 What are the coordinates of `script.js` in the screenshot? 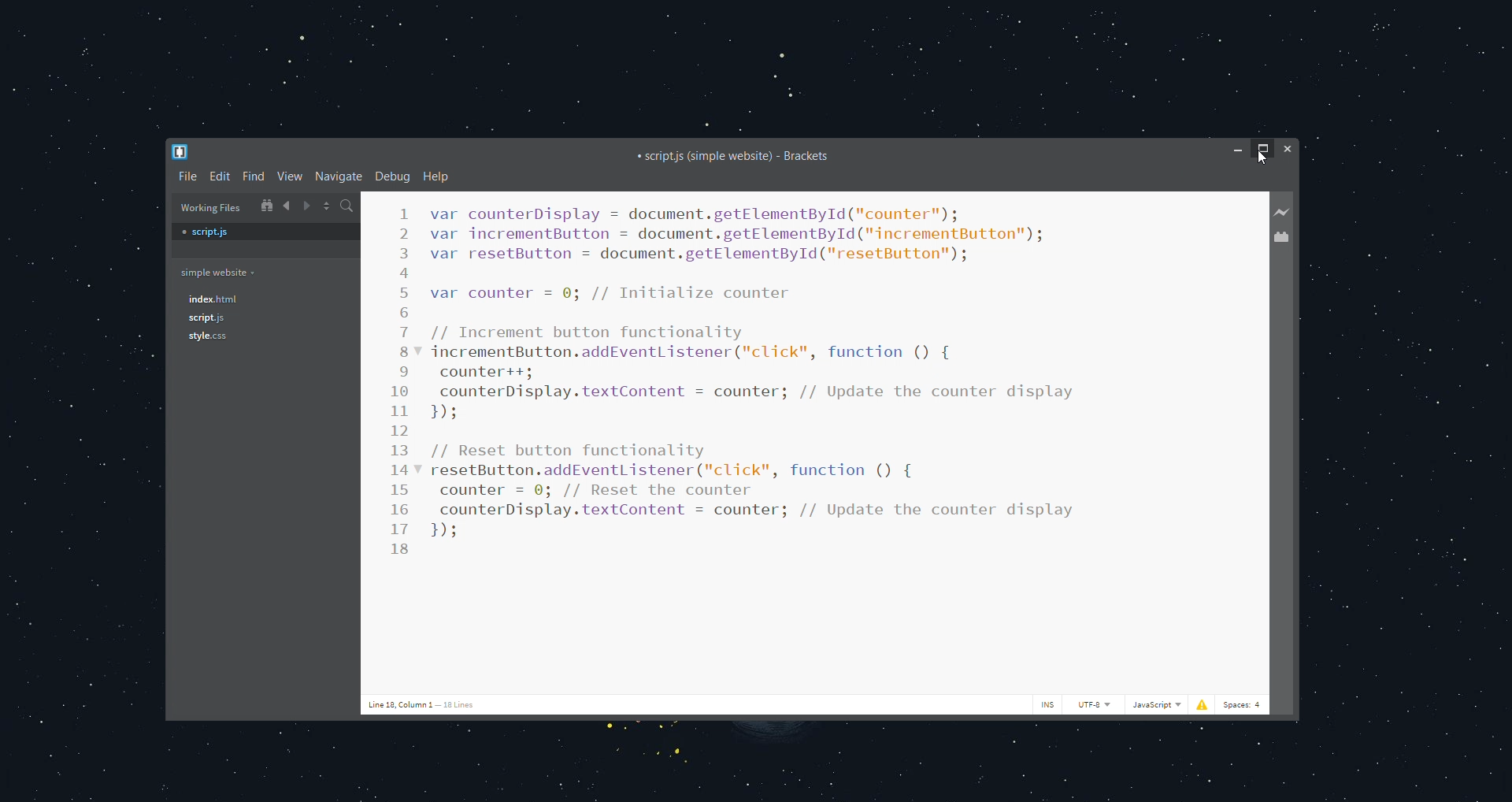 It's located at (265, 232).